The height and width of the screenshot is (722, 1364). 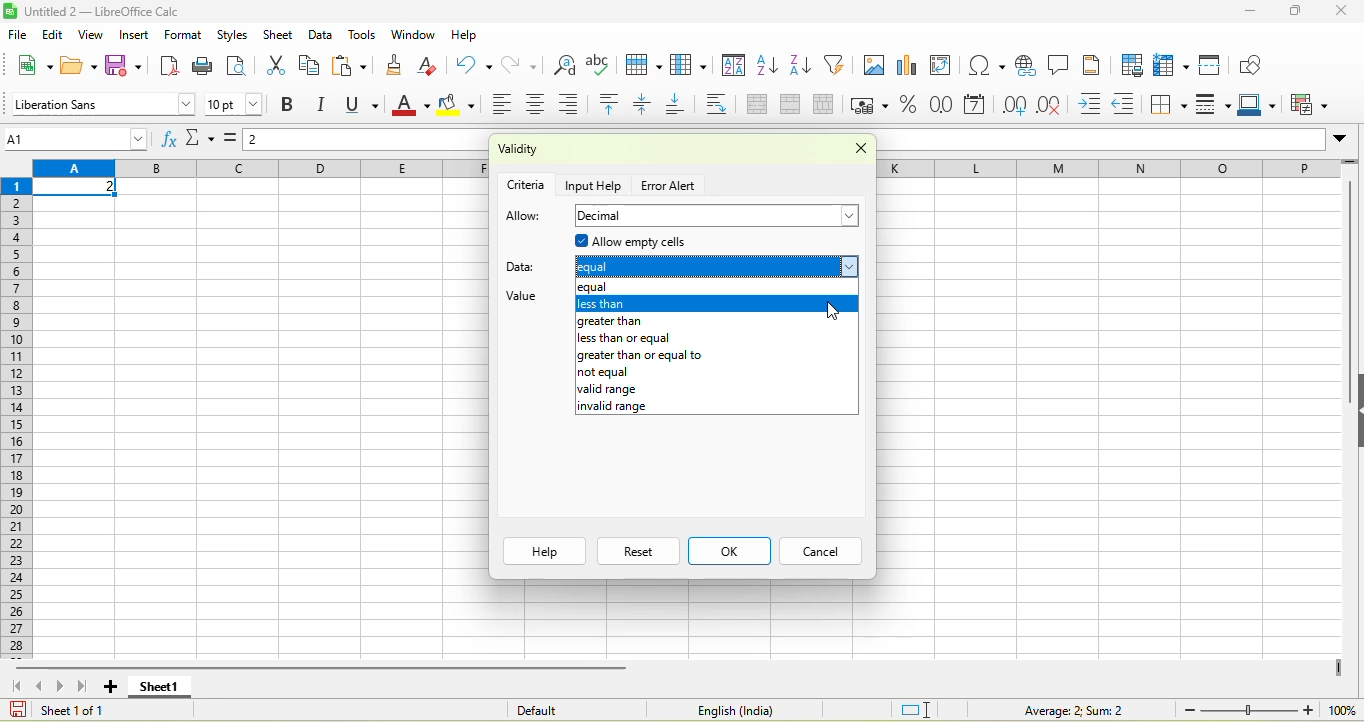 What do you see at coordinates (565, 64) in the screenshot?
I see `find and replace` at bounding box center [565, 64].